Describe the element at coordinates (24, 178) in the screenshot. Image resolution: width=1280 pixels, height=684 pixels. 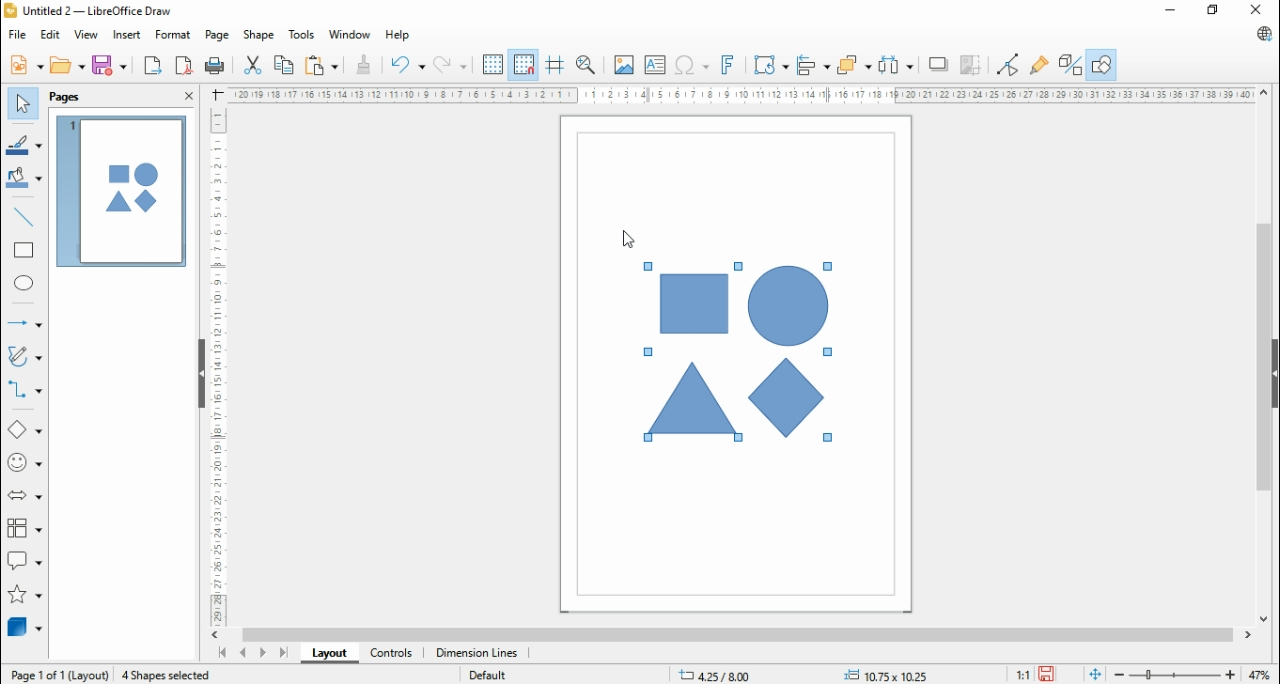
I see `fill color` at that location.